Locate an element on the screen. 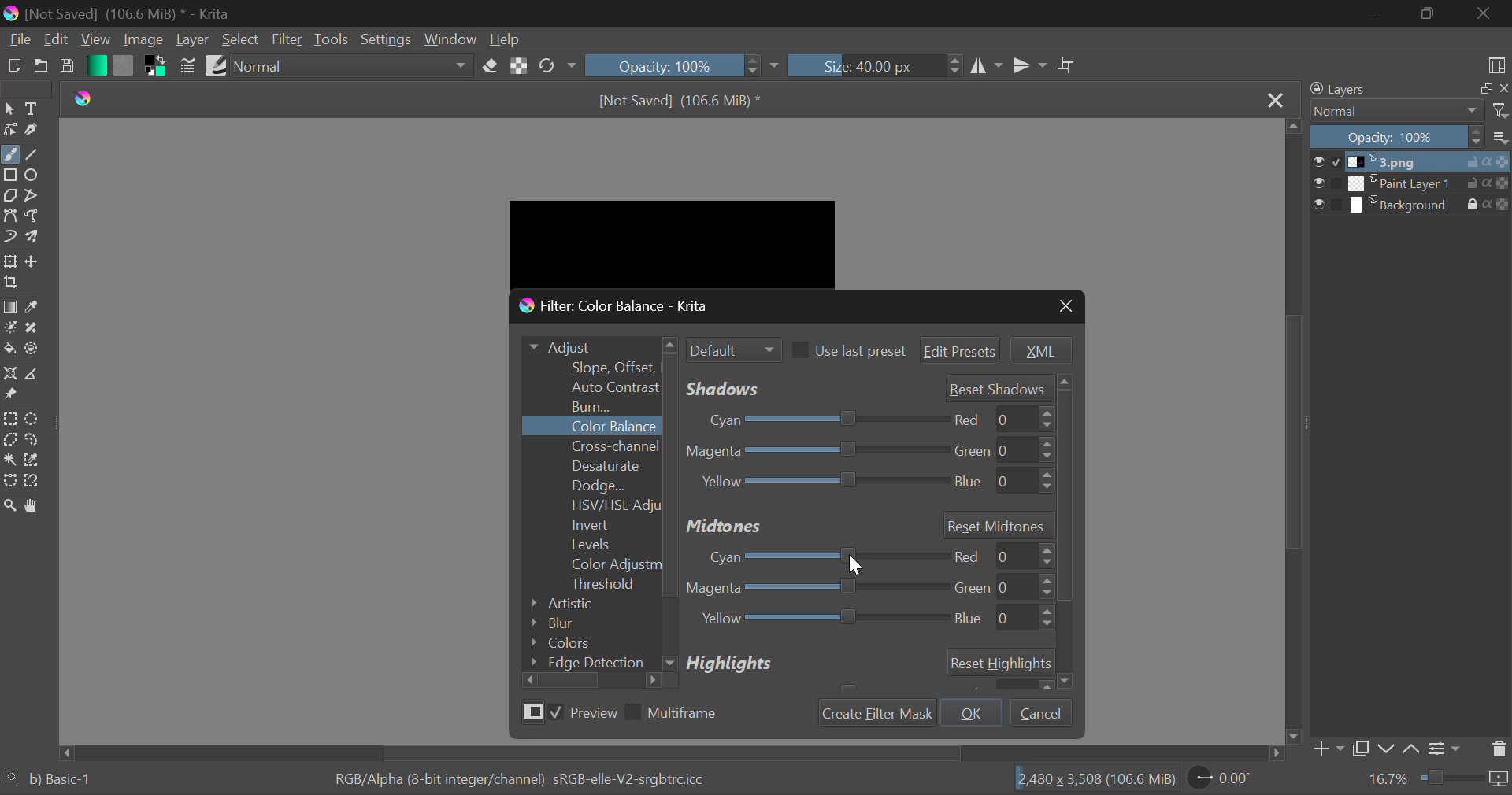 This screenshot has height=795, width=1512. Transform Layer is located at coordinates (10, 262).